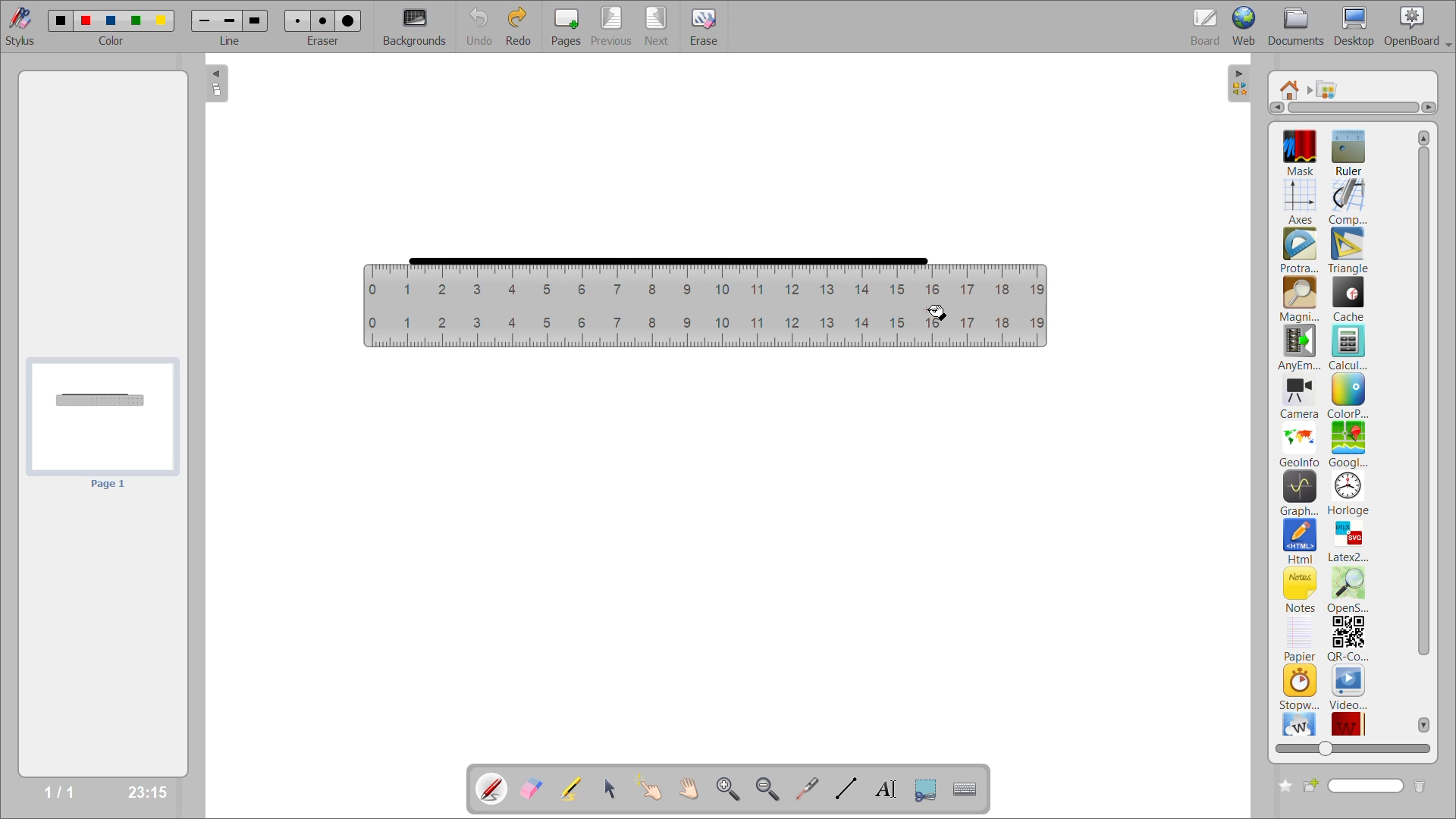  What do you see at coordinates (323, 20) in the screenshot?
I see `eraser 2` at bounding box center [323, 20].